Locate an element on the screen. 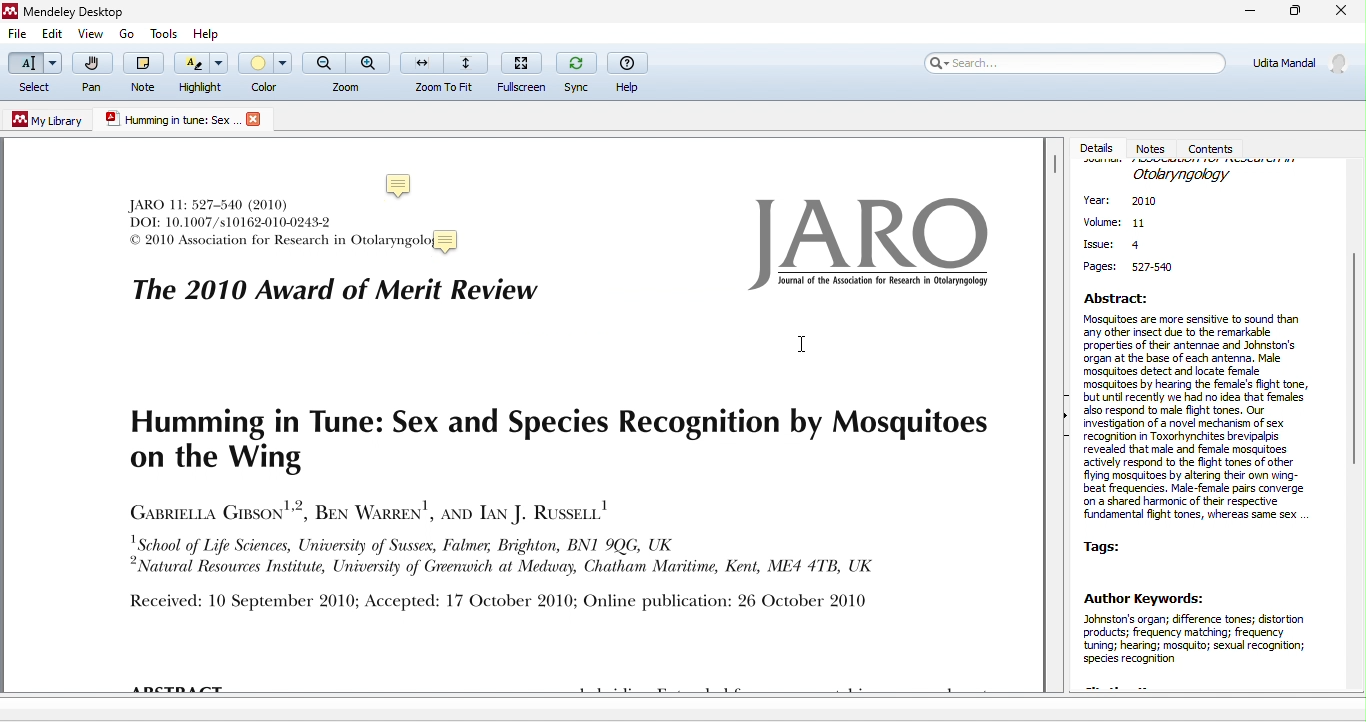  journal name is located at coordinates (1185, 174).